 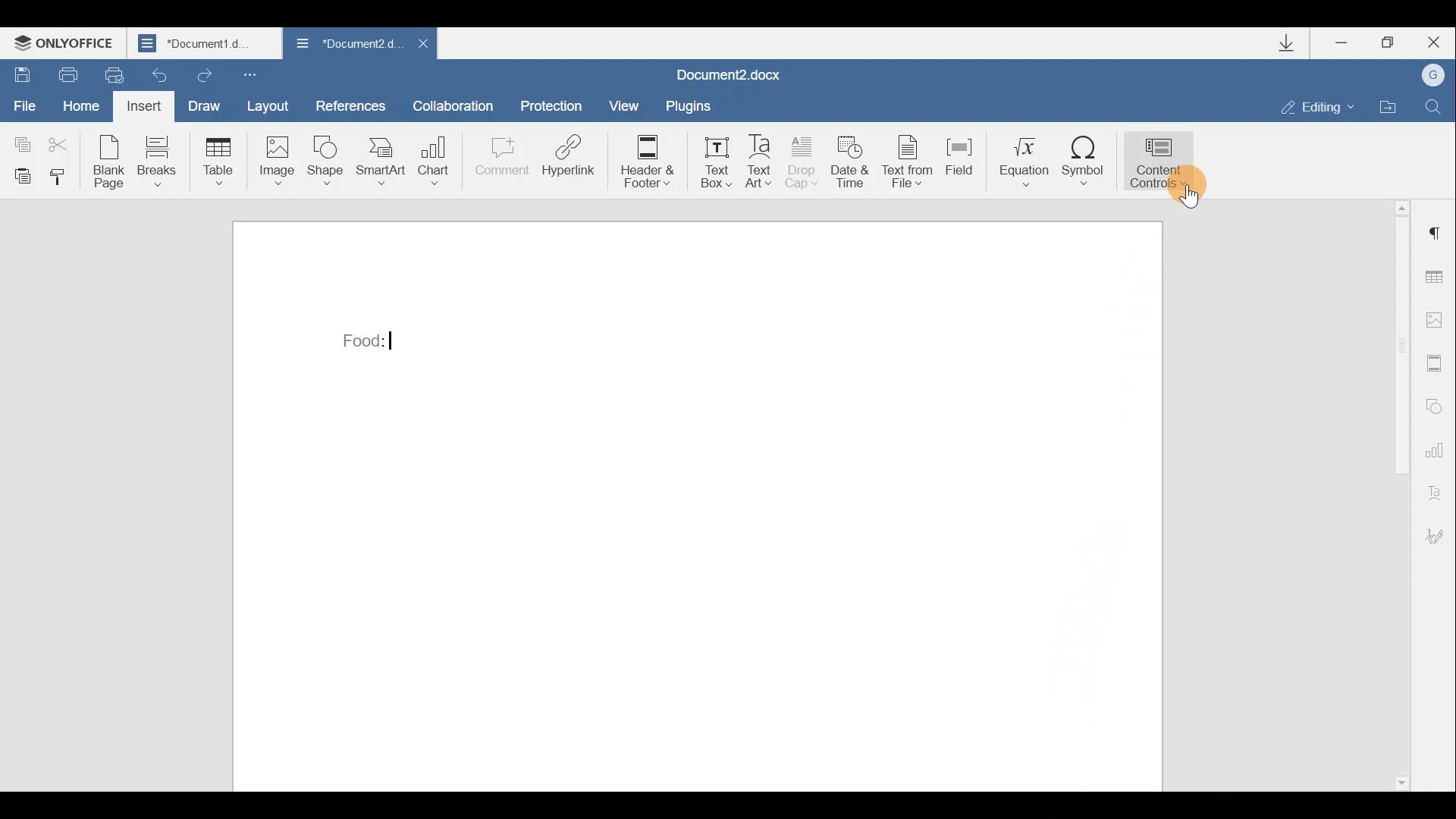 I want to click on Customize quick access toolbar, so click(x=253, y=74).